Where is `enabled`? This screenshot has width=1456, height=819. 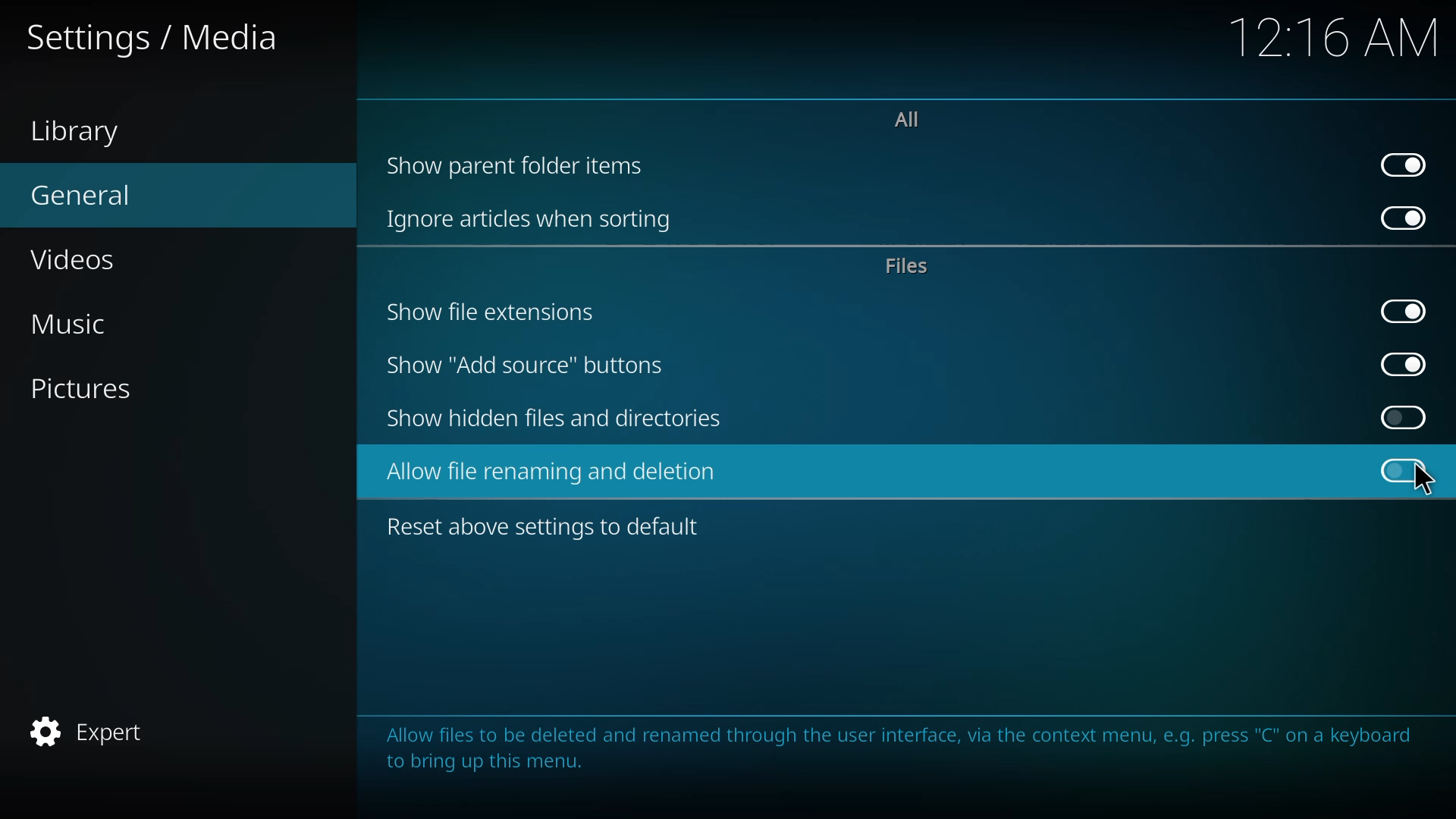 enabled is located at coordinates (1404, 311).